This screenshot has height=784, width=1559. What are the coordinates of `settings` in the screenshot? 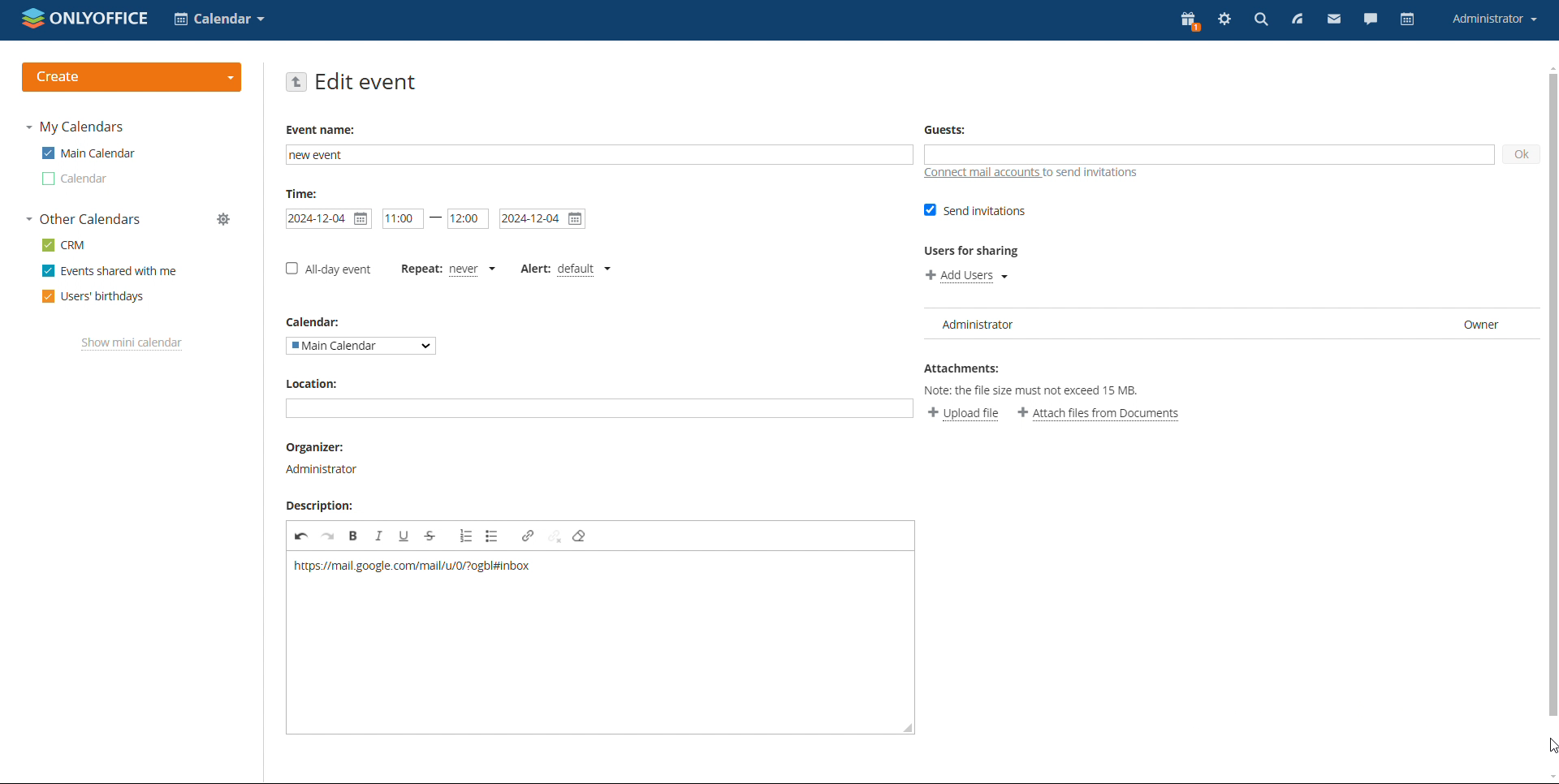 It's located at (1223, 21).